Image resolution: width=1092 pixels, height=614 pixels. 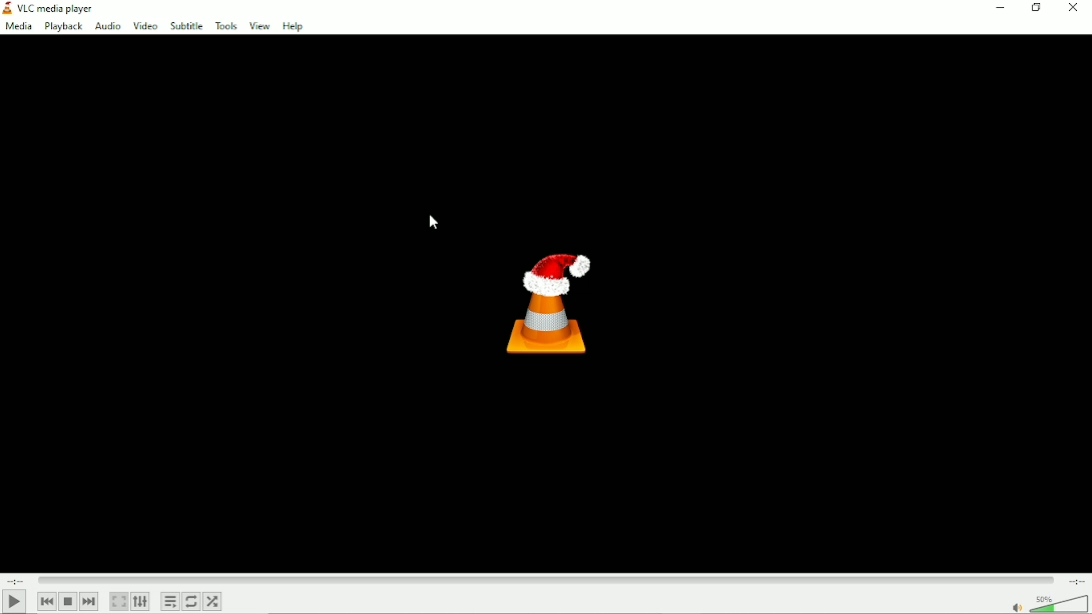 I want to click on Next, so click(x=89, y=601).